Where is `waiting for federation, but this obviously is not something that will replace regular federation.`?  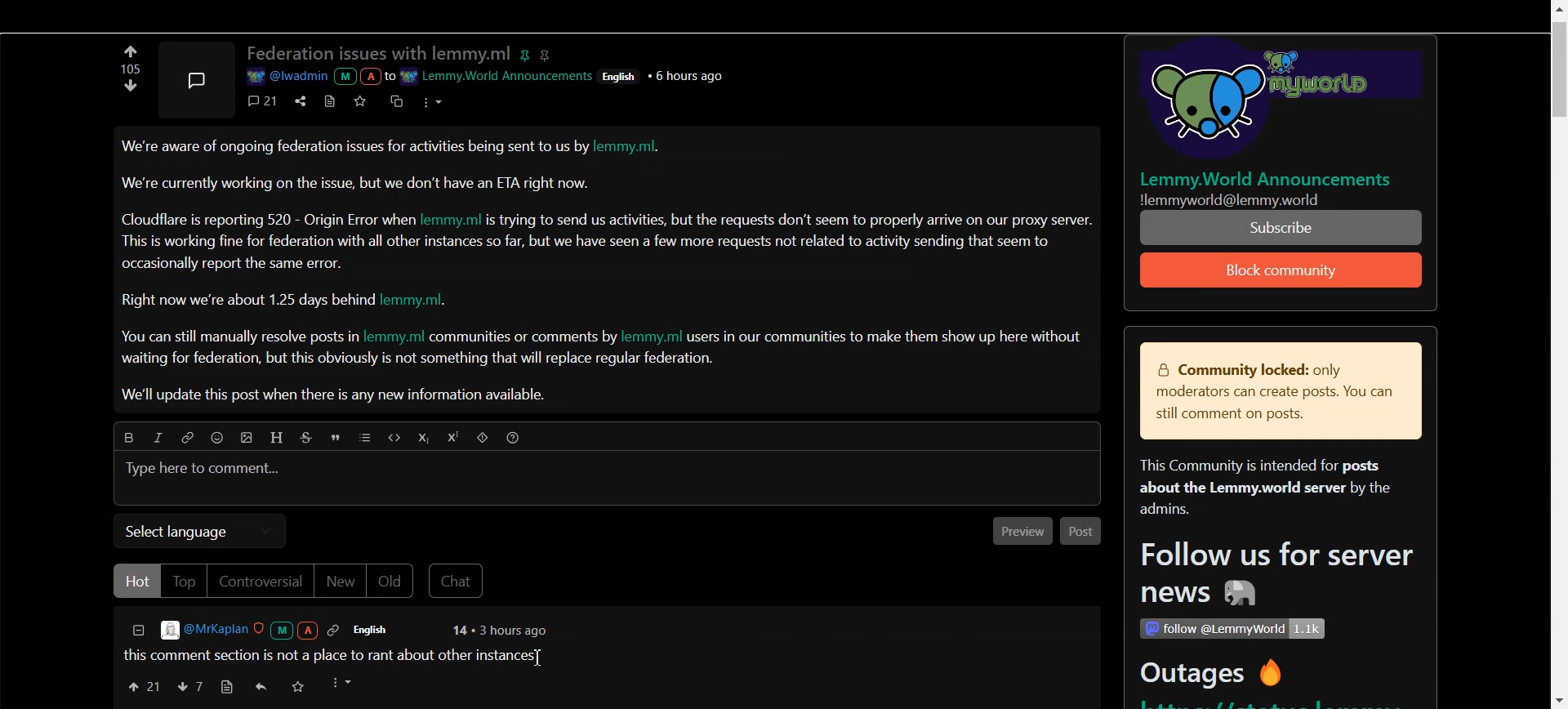
waiting for federation, but this obviously is not something that will replace regular federation. is located at coordinates (420, 360).